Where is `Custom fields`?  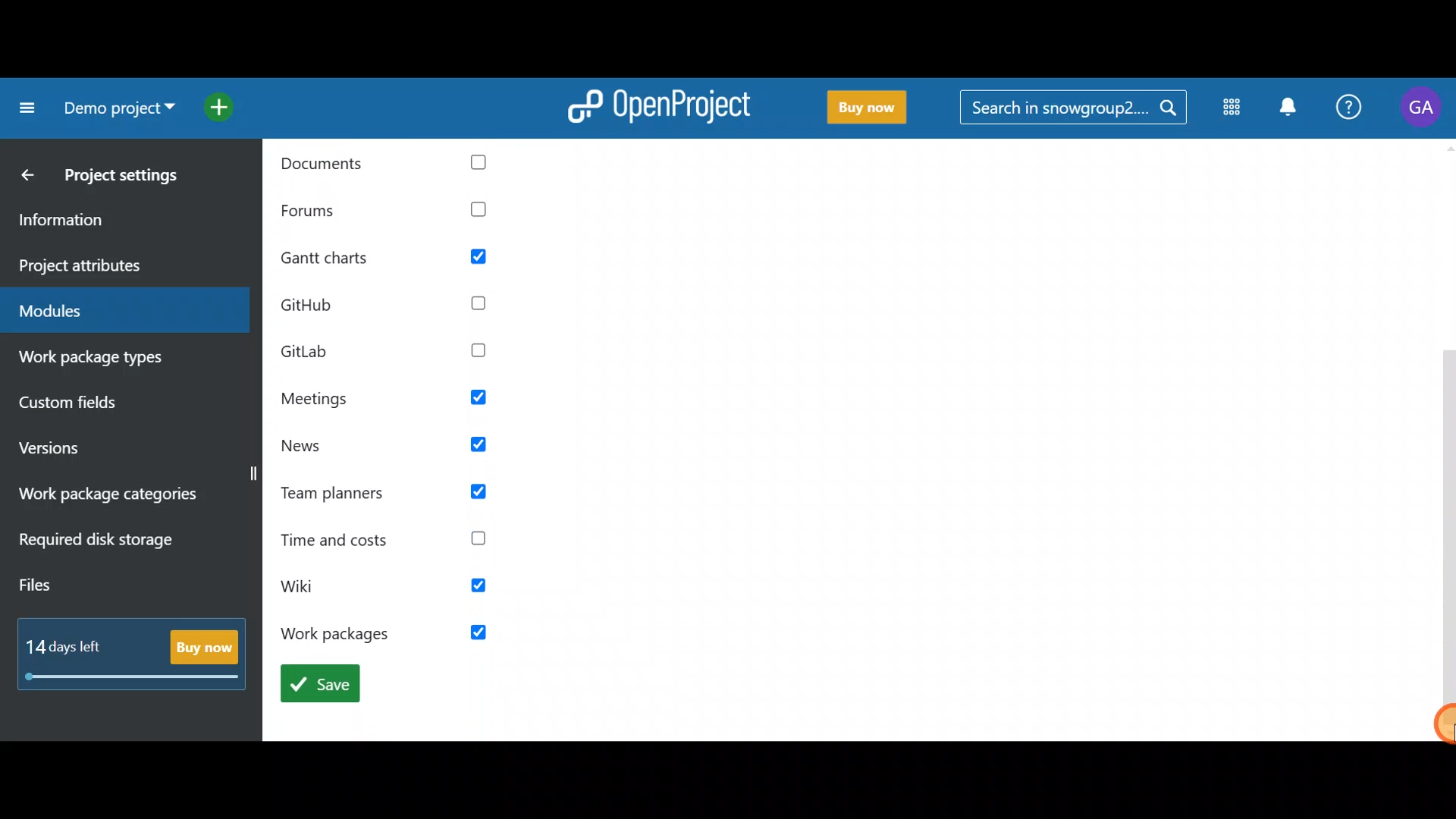
Custom fields is located at coordinates (102, 407).